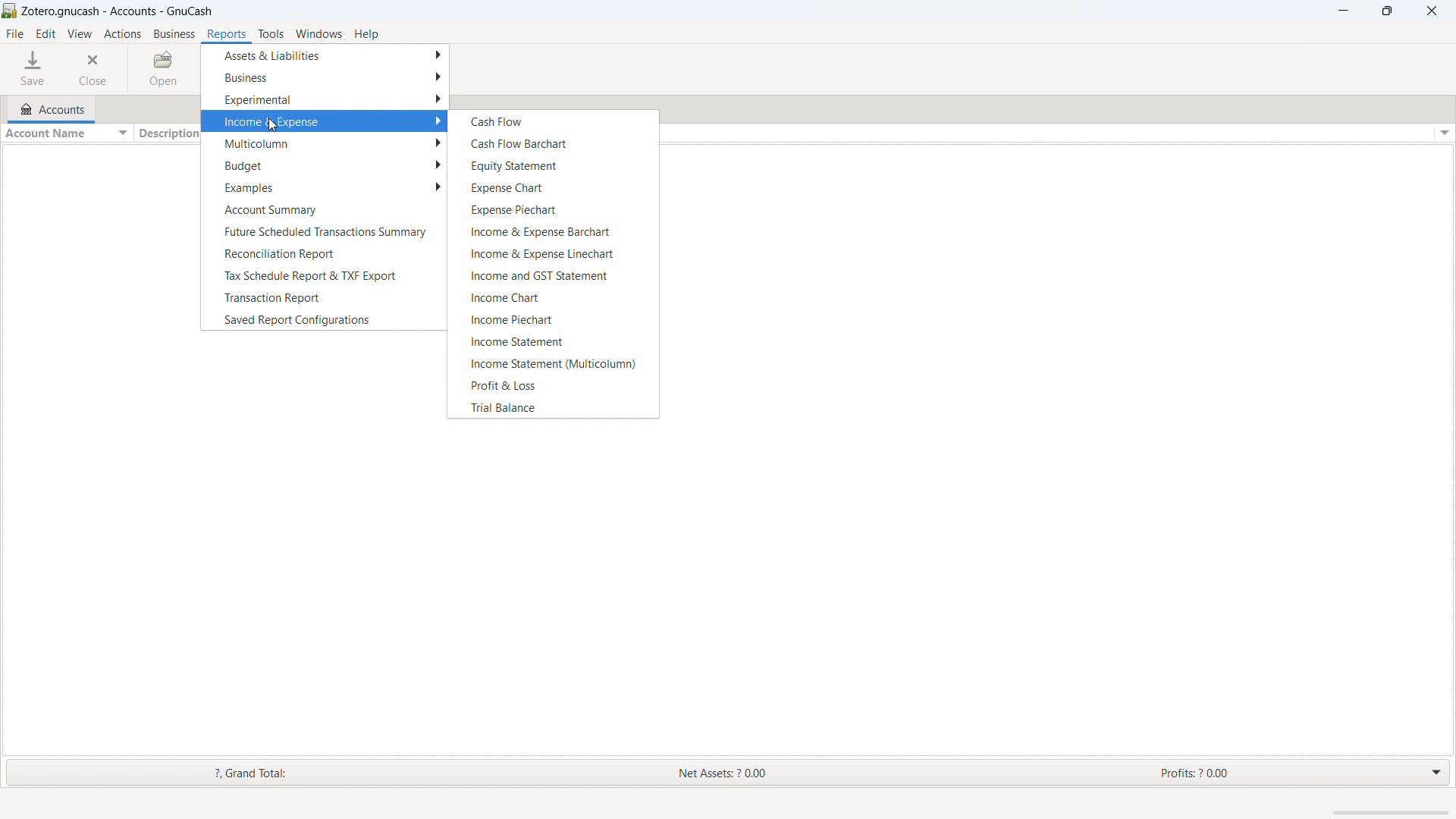 This screenshot has width=1456, height=819. Describe the element at coordinates (80, 33) in the screenshot. I see `view` at that location.